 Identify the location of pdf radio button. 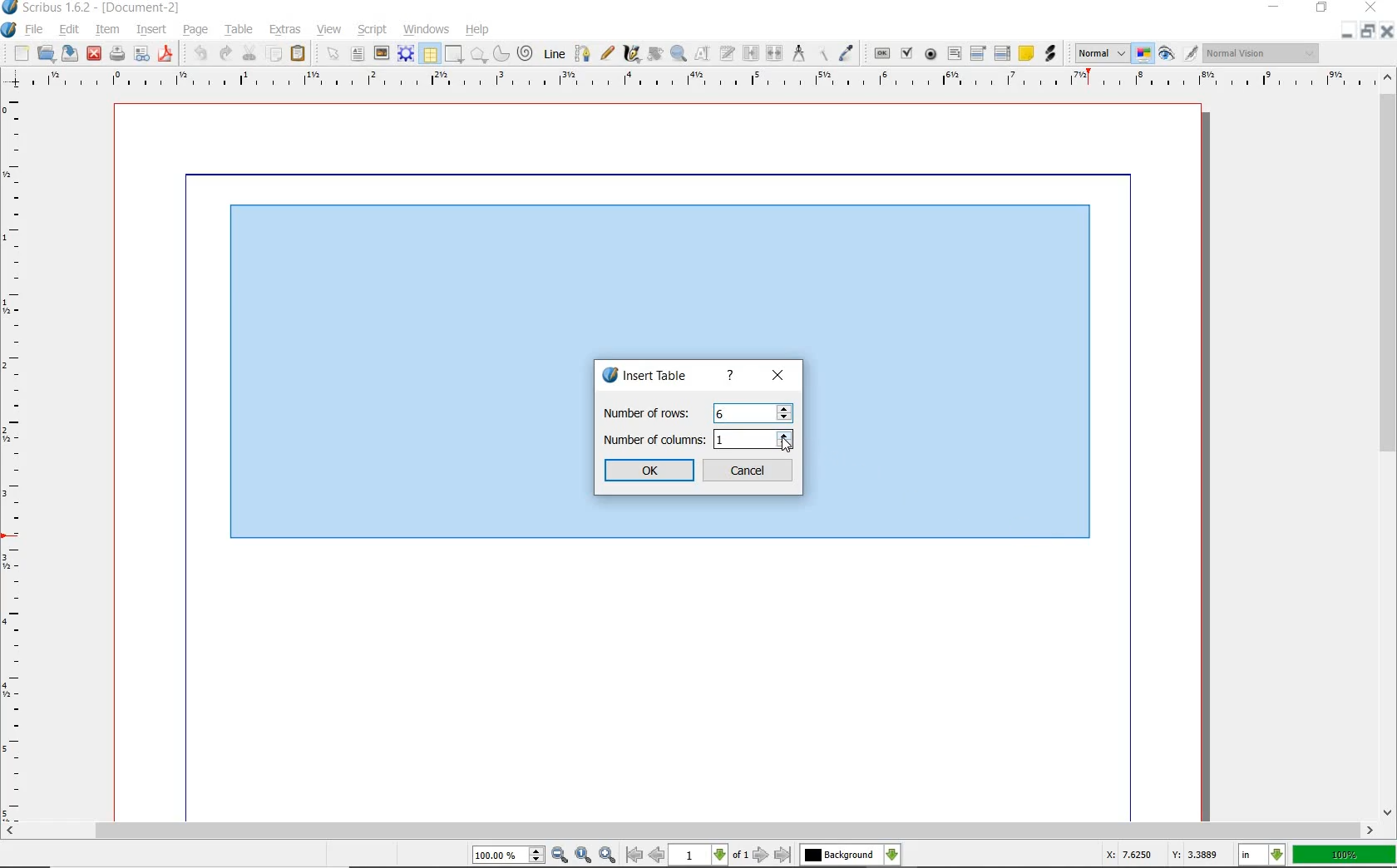
(931, 55).